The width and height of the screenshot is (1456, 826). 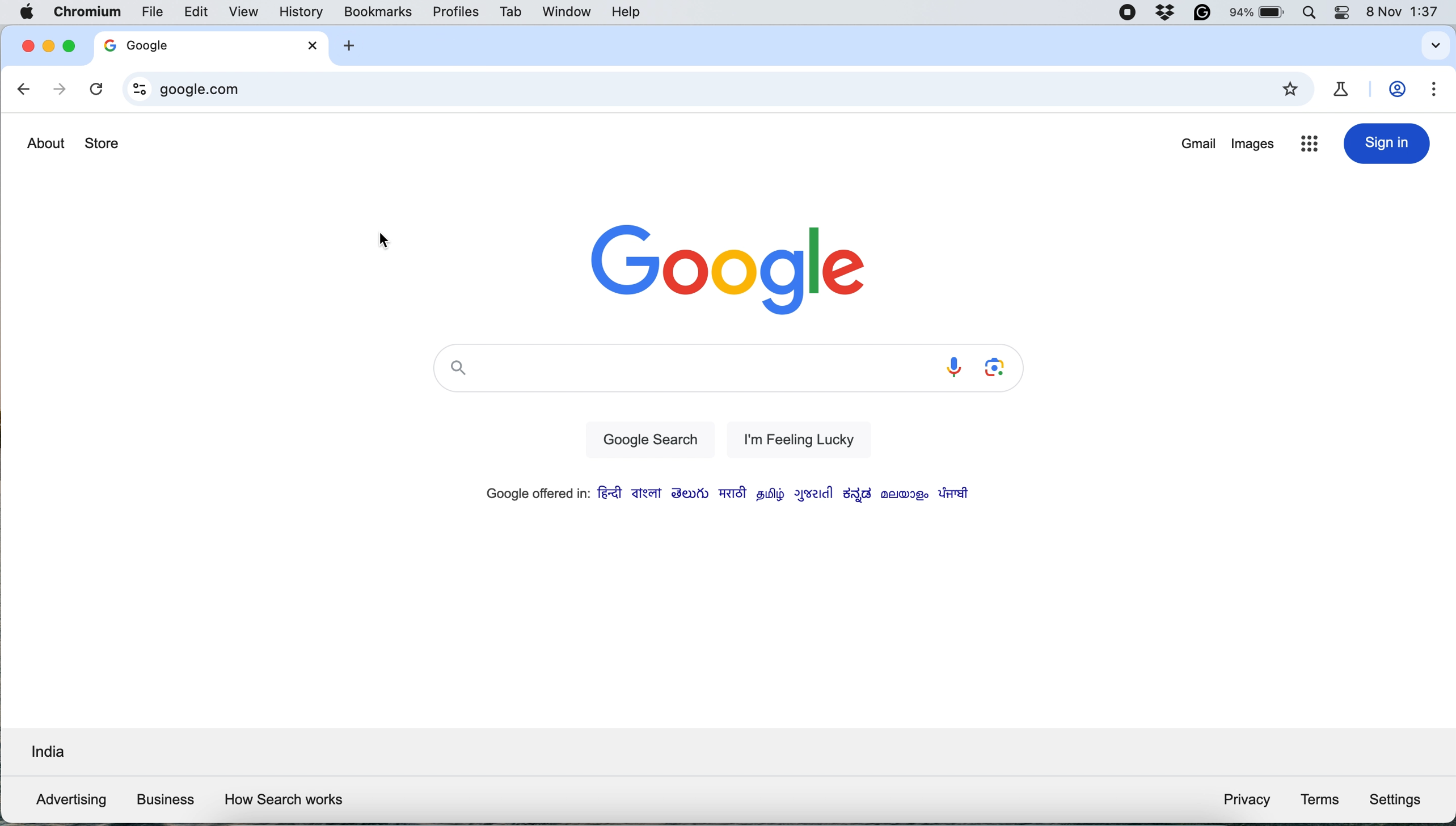 What do you see at coordinates (1253, 147) in the screenshot?
I see `images` at bounding box center [1253, 147].